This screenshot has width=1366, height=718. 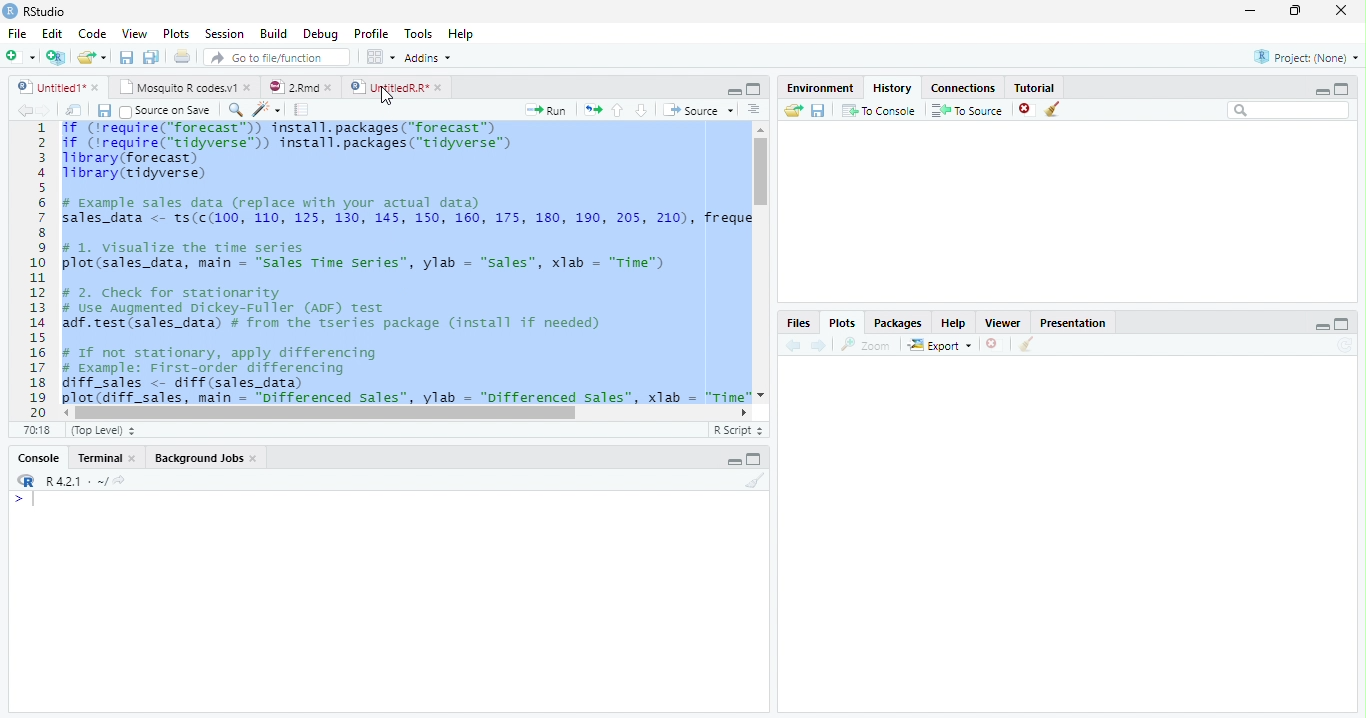 What do you see at coordinates (26, 481) in the screenshot?
I see `R` at bounding box center [26, 481].